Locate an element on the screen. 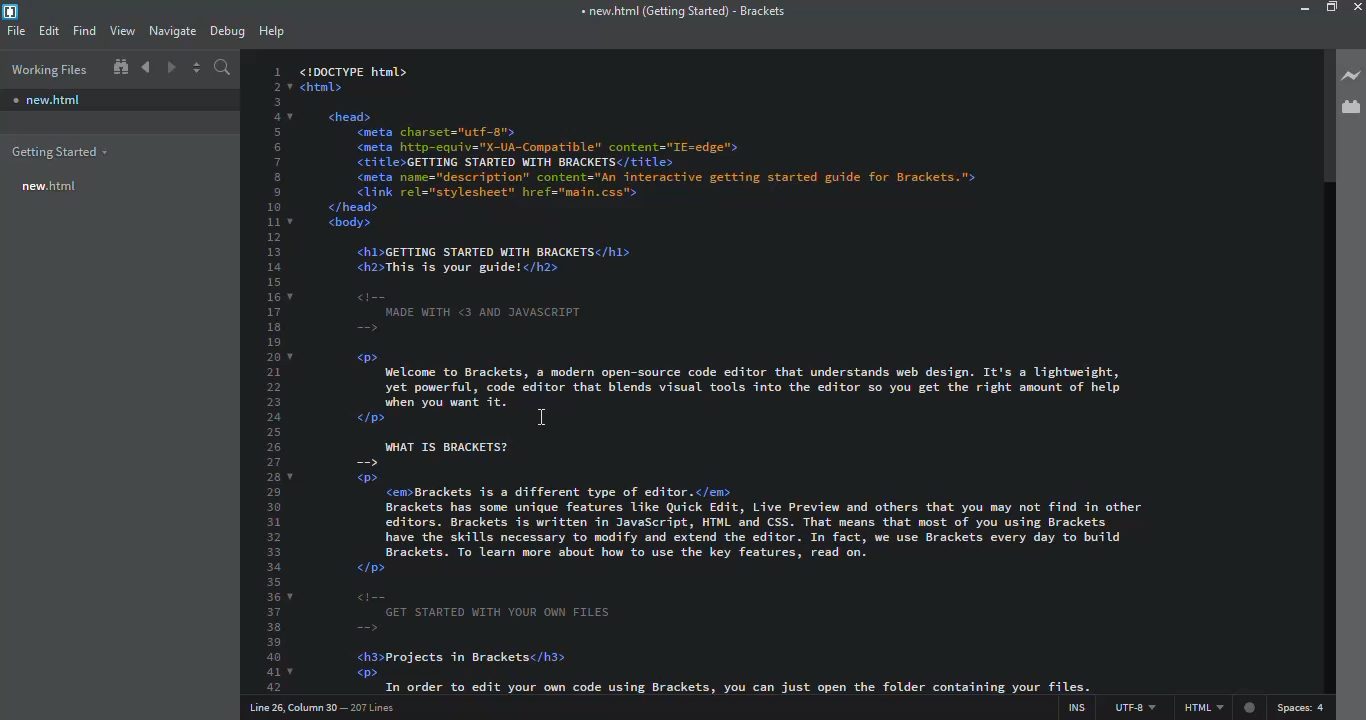 Image resolution: width=1366 pixels, height=720 pixels. maximize is located at coordinates (1331, 7).